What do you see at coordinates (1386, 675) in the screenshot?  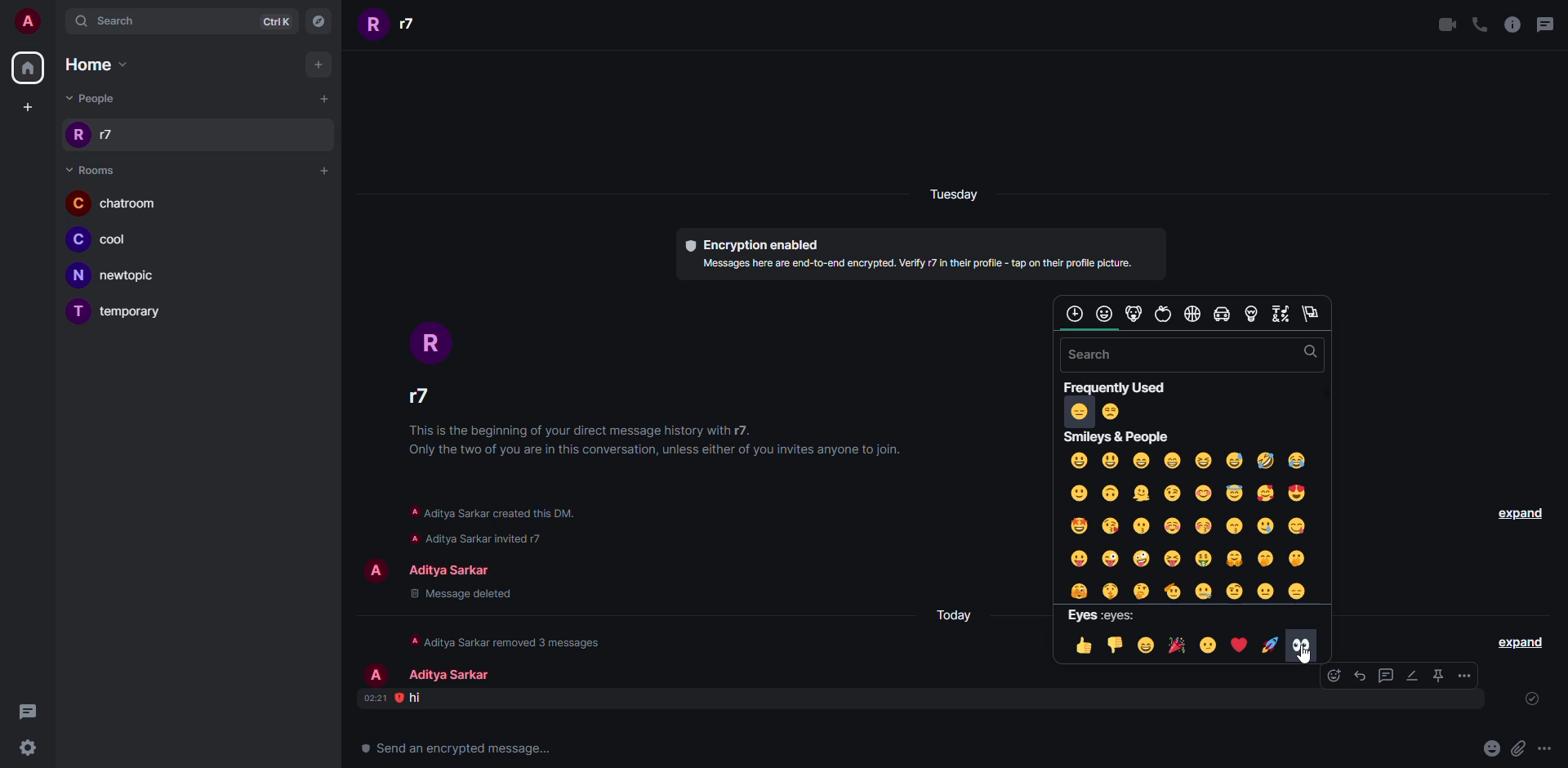 I see `thread` at bounding box center [1386, 675].